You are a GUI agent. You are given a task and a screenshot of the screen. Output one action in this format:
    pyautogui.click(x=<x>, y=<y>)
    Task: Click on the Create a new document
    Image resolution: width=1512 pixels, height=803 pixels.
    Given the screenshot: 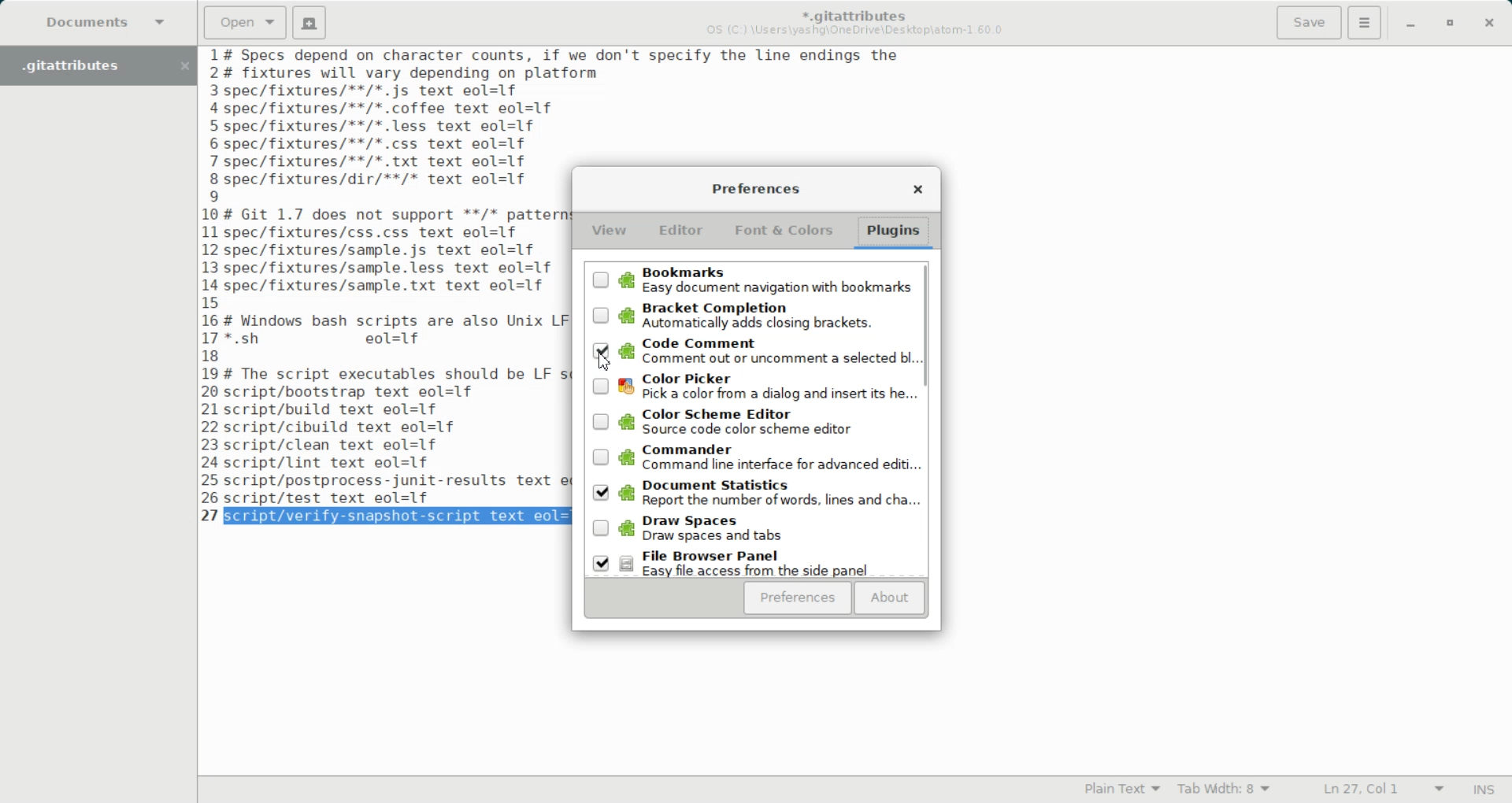 What is the action you would take?
    pyautogui.click(x=310, y=23)
    